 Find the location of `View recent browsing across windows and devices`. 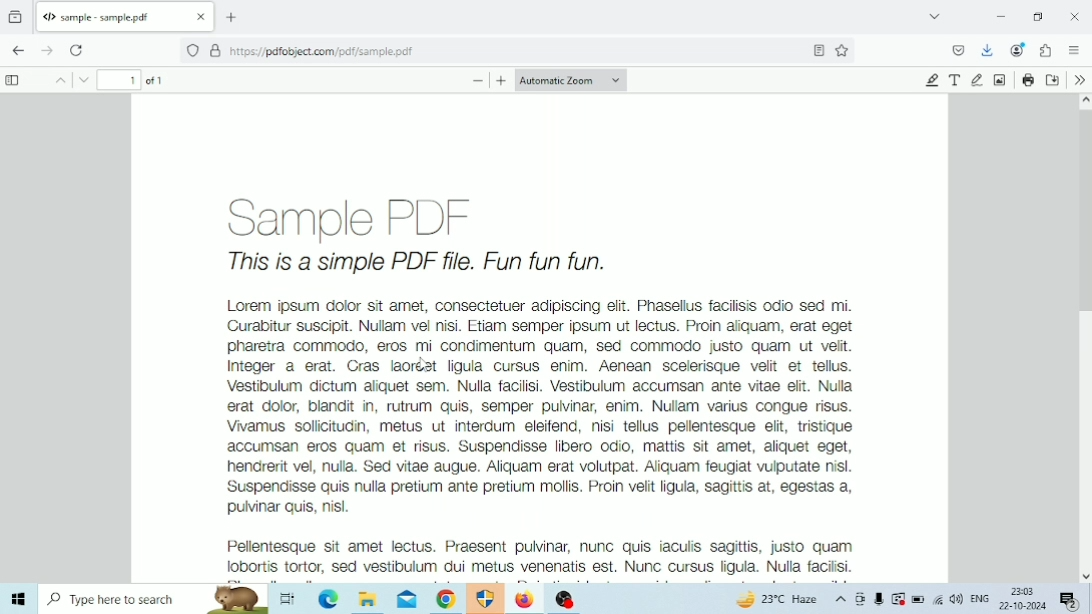

View recent browsing across windows and devices is located at coordinates (15, 18).